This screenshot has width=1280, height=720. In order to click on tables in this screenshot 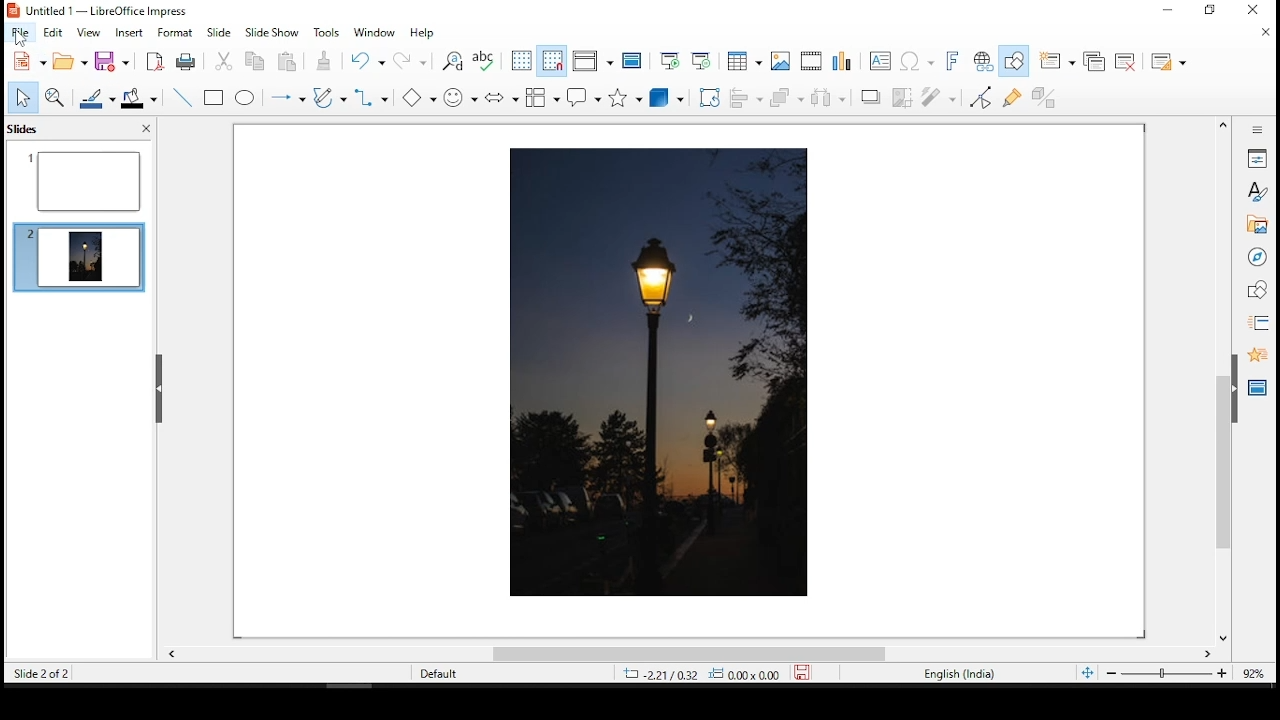, I will do `click(743, 59)`.